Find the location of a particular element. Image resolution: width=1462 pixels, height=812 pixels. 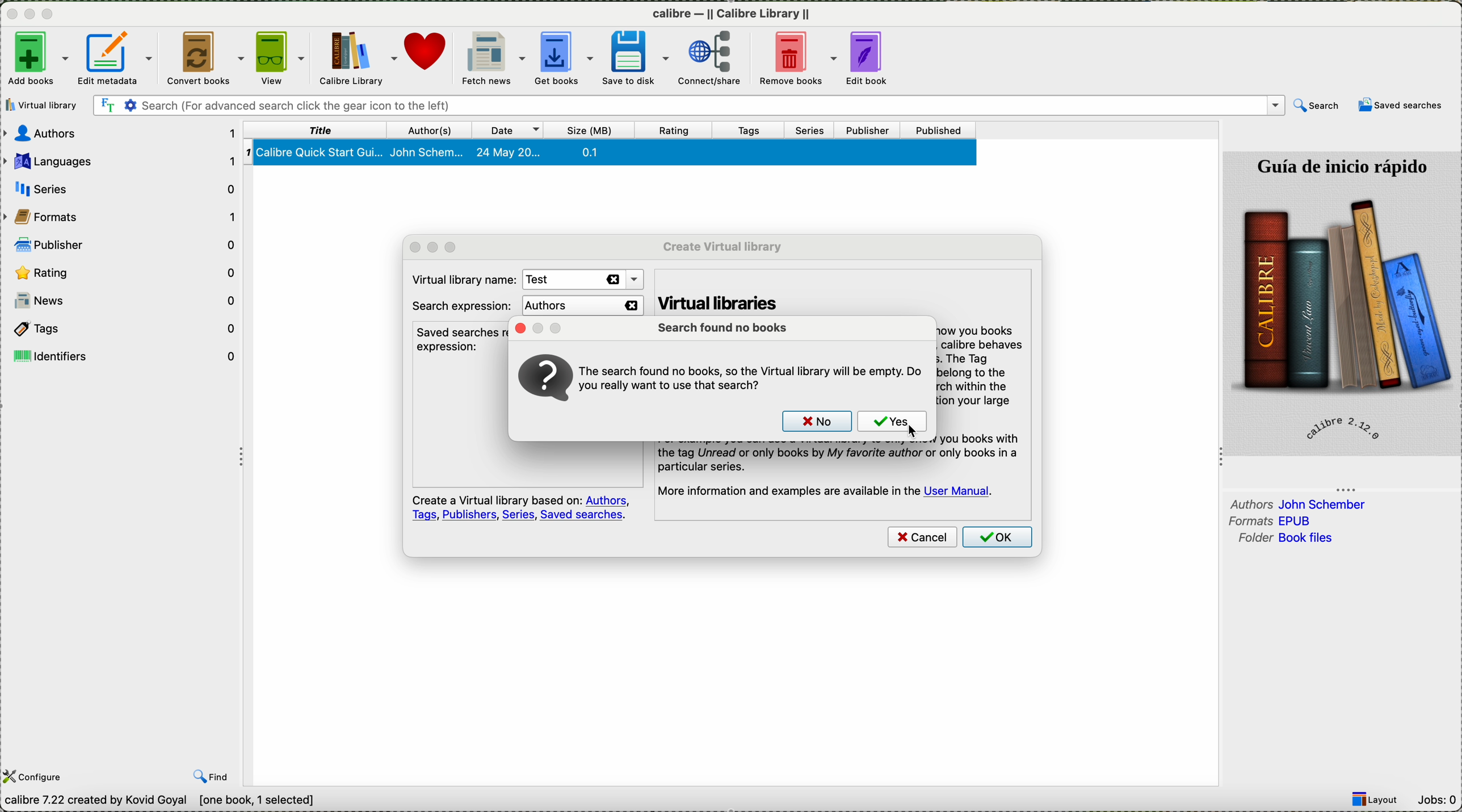

note is located at coordinates (521, 508).